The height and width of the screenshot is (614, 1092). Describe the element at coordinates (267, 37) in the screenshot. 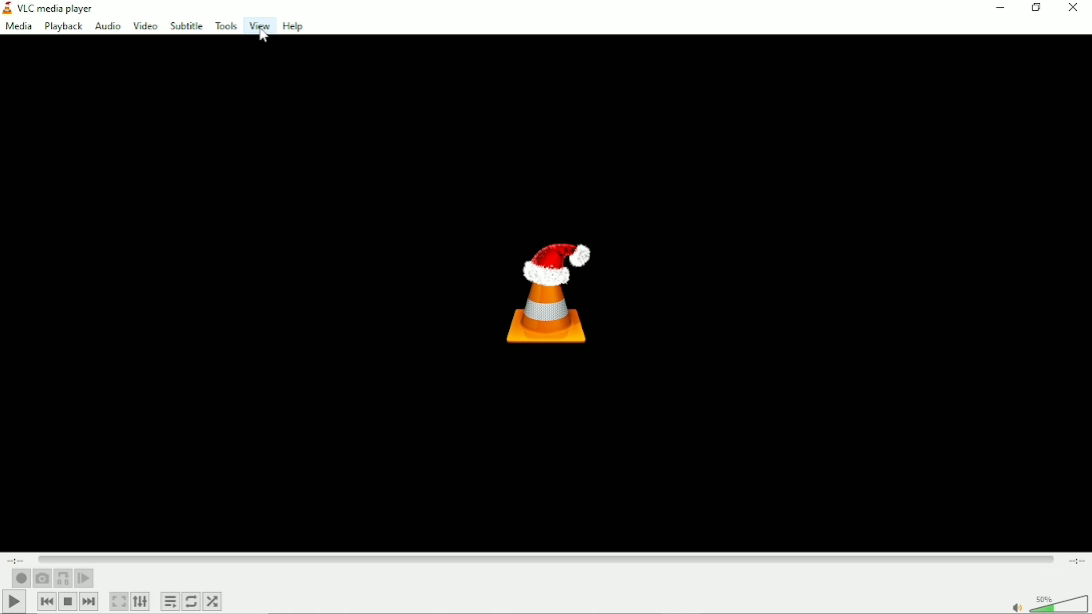

I see `Cursor` at that location.